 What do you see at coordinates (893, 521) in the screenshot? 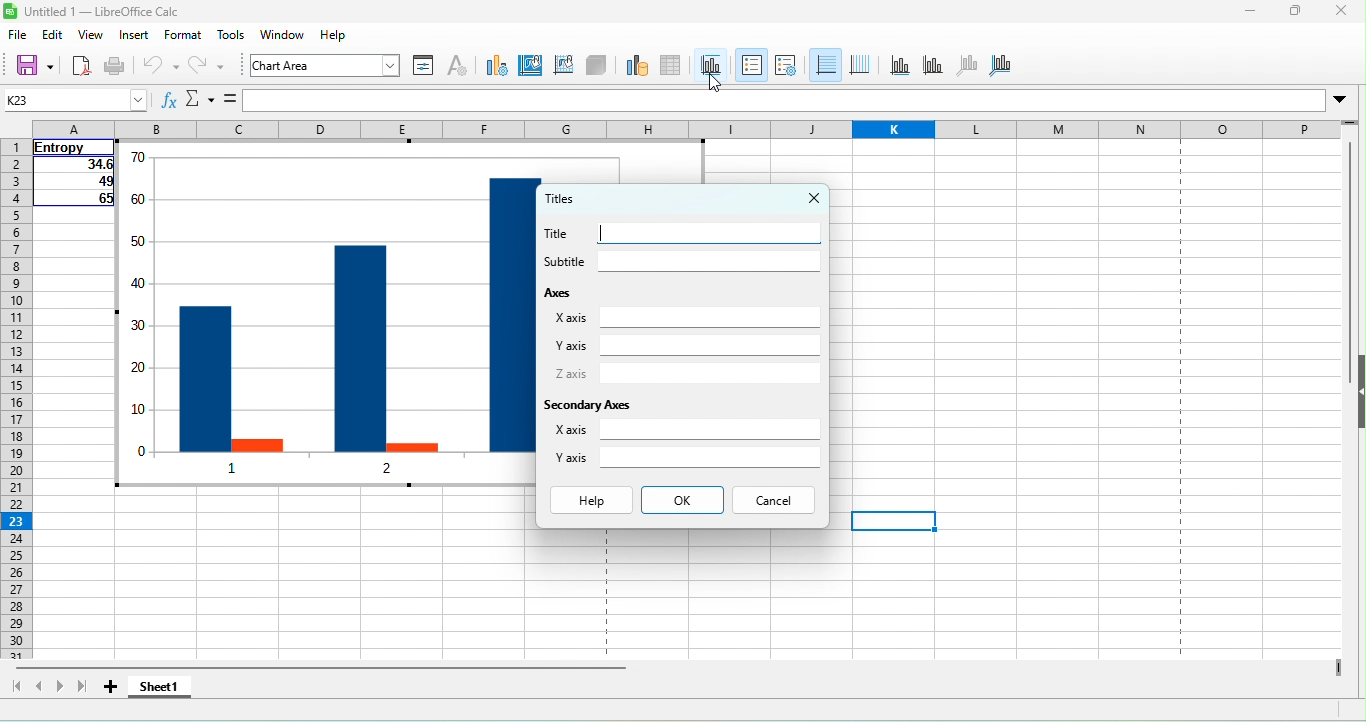
I see `selected cell` at bounding box center [893, 521].